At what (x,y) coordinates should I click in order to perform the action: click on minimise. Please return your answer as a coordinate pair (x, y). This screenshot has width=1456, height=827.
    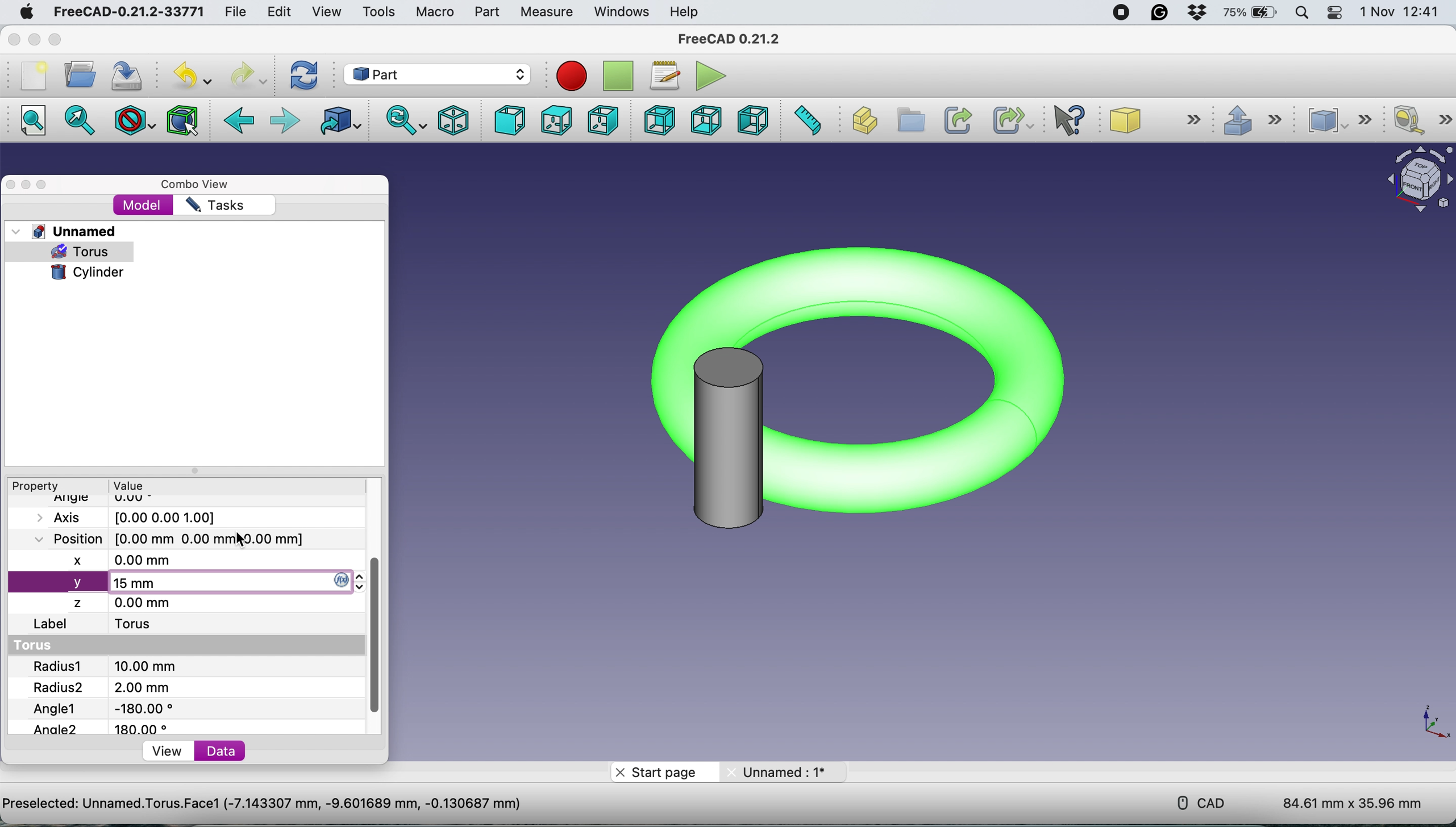
    Looking at the image, I should click on (31, 40).